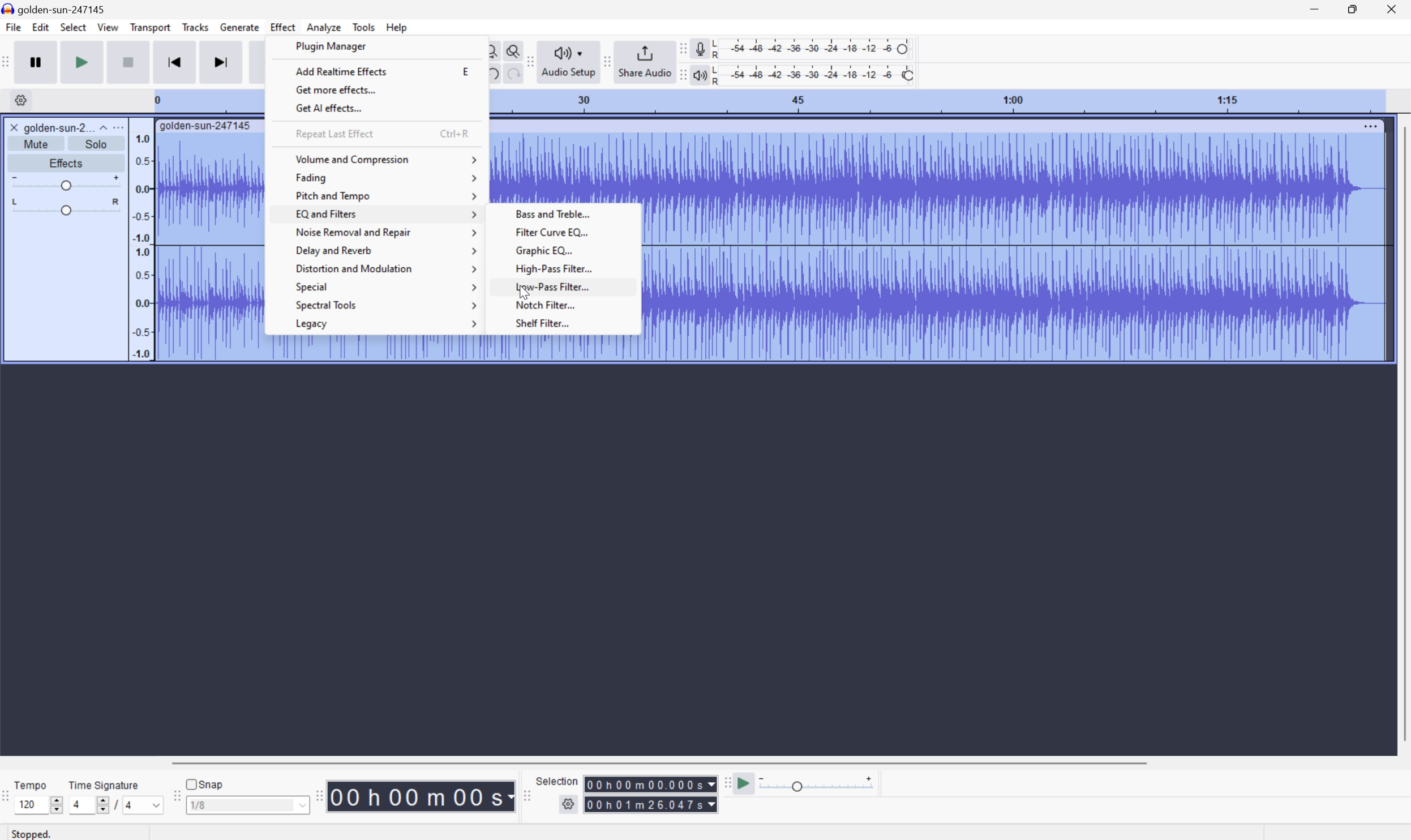 This screenshot has width=1411, height=840. What do you see at coordinates (9, 802) in the screenshot?
I see `Audacity time signature toolbar` at bounding box center [9, 802].